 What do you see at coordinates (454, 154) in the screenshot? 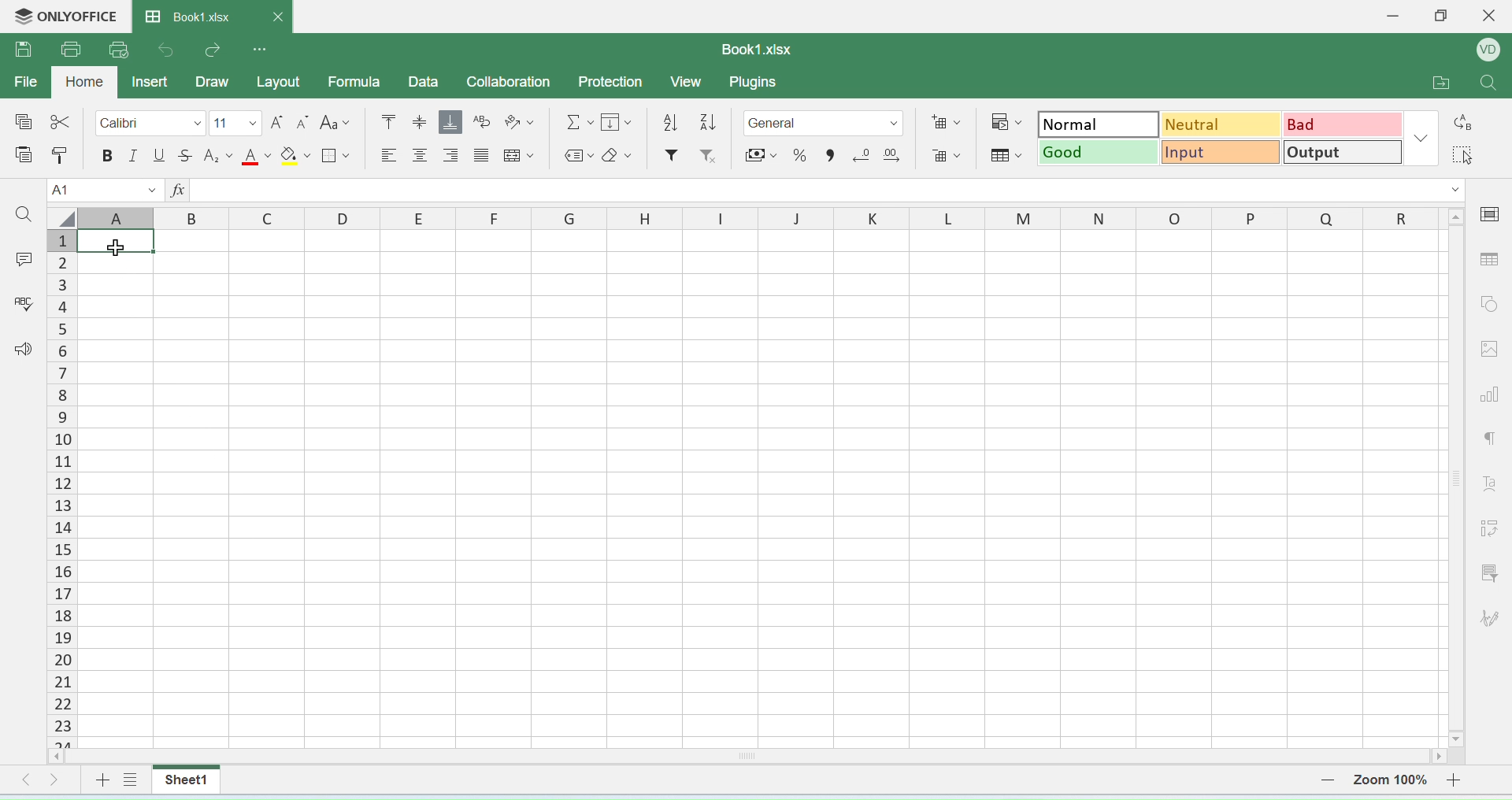
I see `align right` at bounding box center [454, 154].